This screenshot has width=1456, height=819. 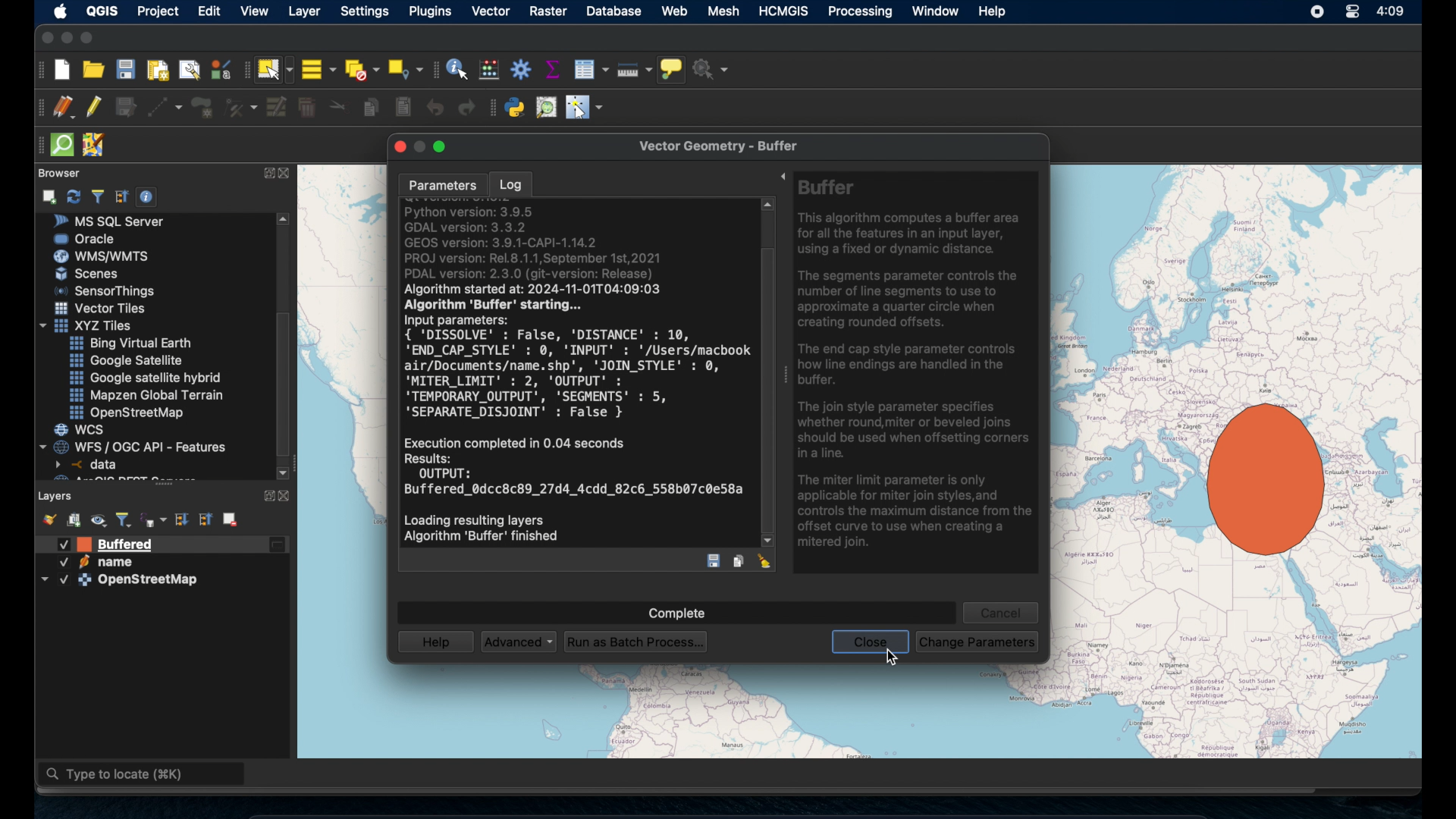 What do you see at coordinates (86, 238) in the screenshot?
I see `oracle` at bounding box center [86, 238].